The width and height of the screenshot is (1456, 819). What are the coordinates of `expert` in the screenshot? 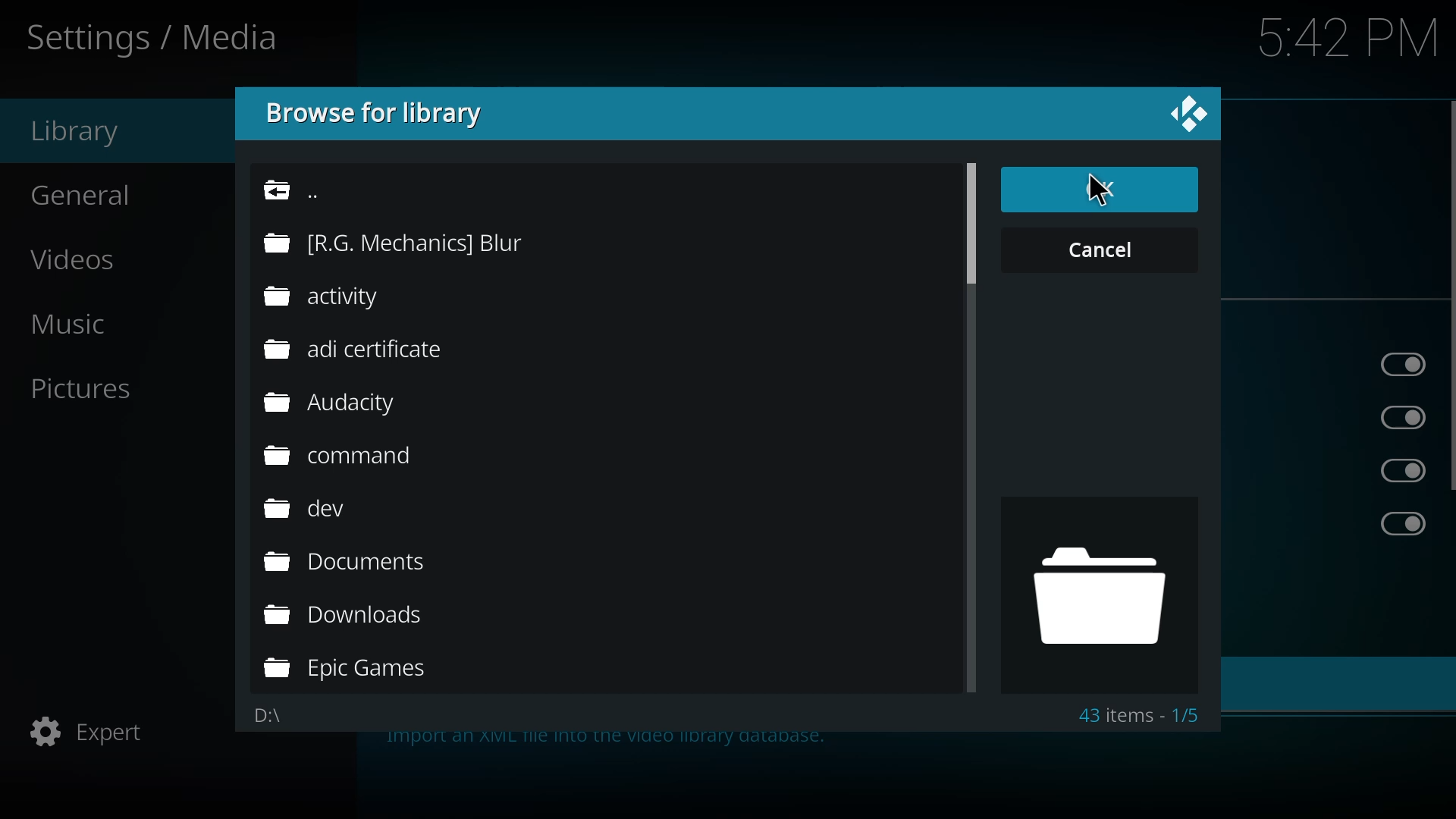 It's located at (92, 735).